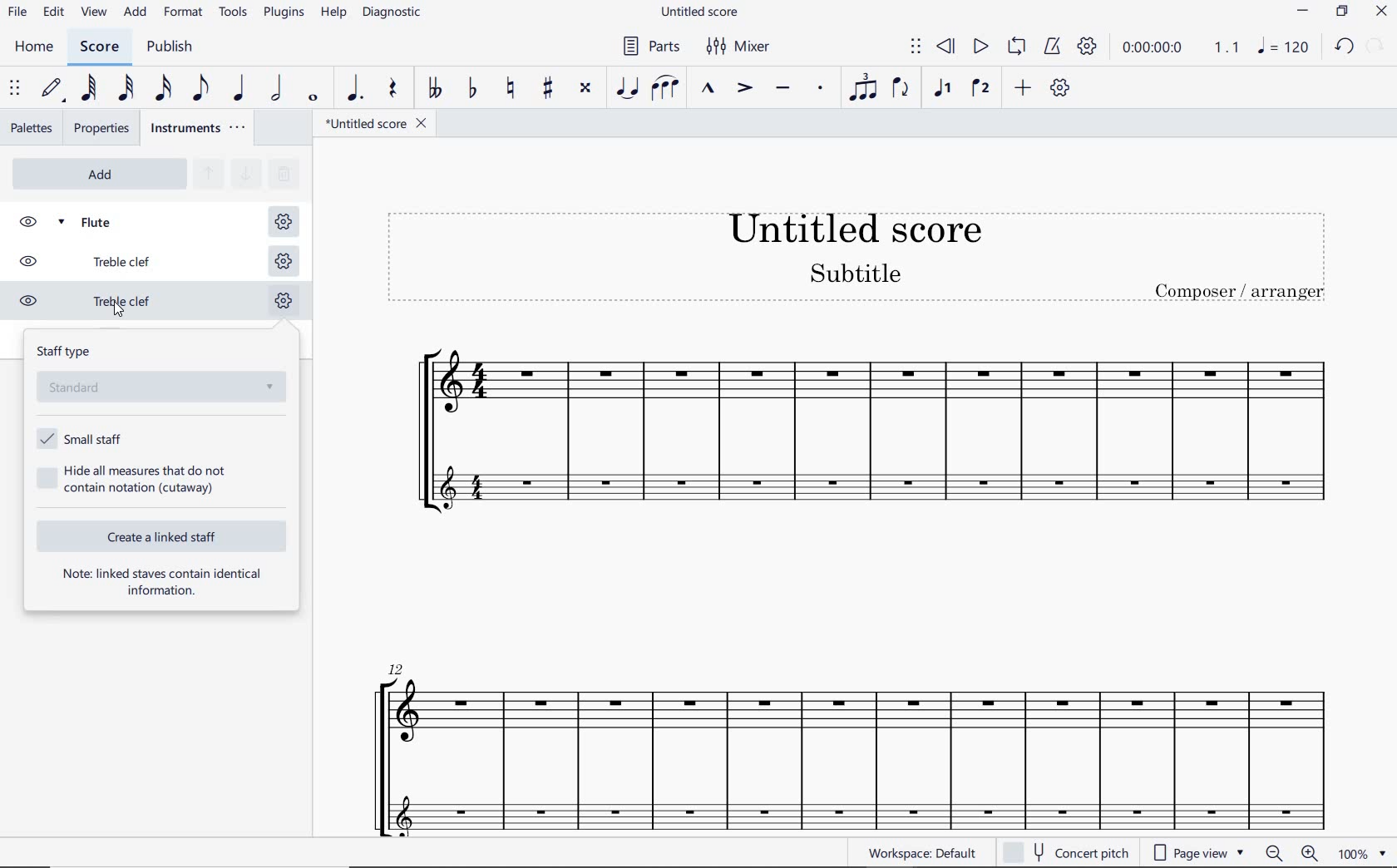  What do you see at coordinates (314, 100) in the screenshot?
I see `WHOLE NOTE` at bounding box center [314, 100].